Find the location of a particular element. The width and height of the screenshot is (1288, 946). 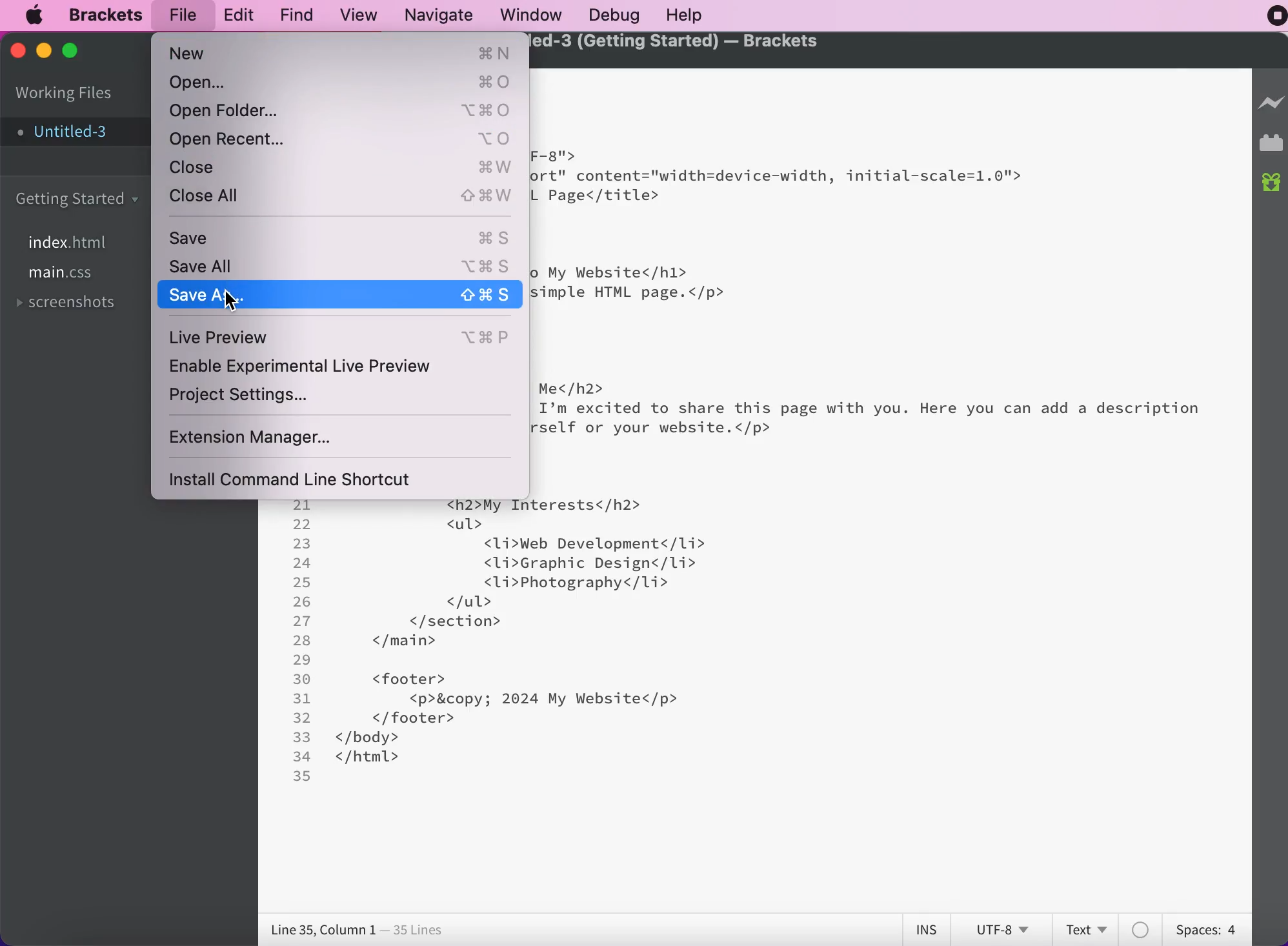

help is located at coordinates (701, 15).